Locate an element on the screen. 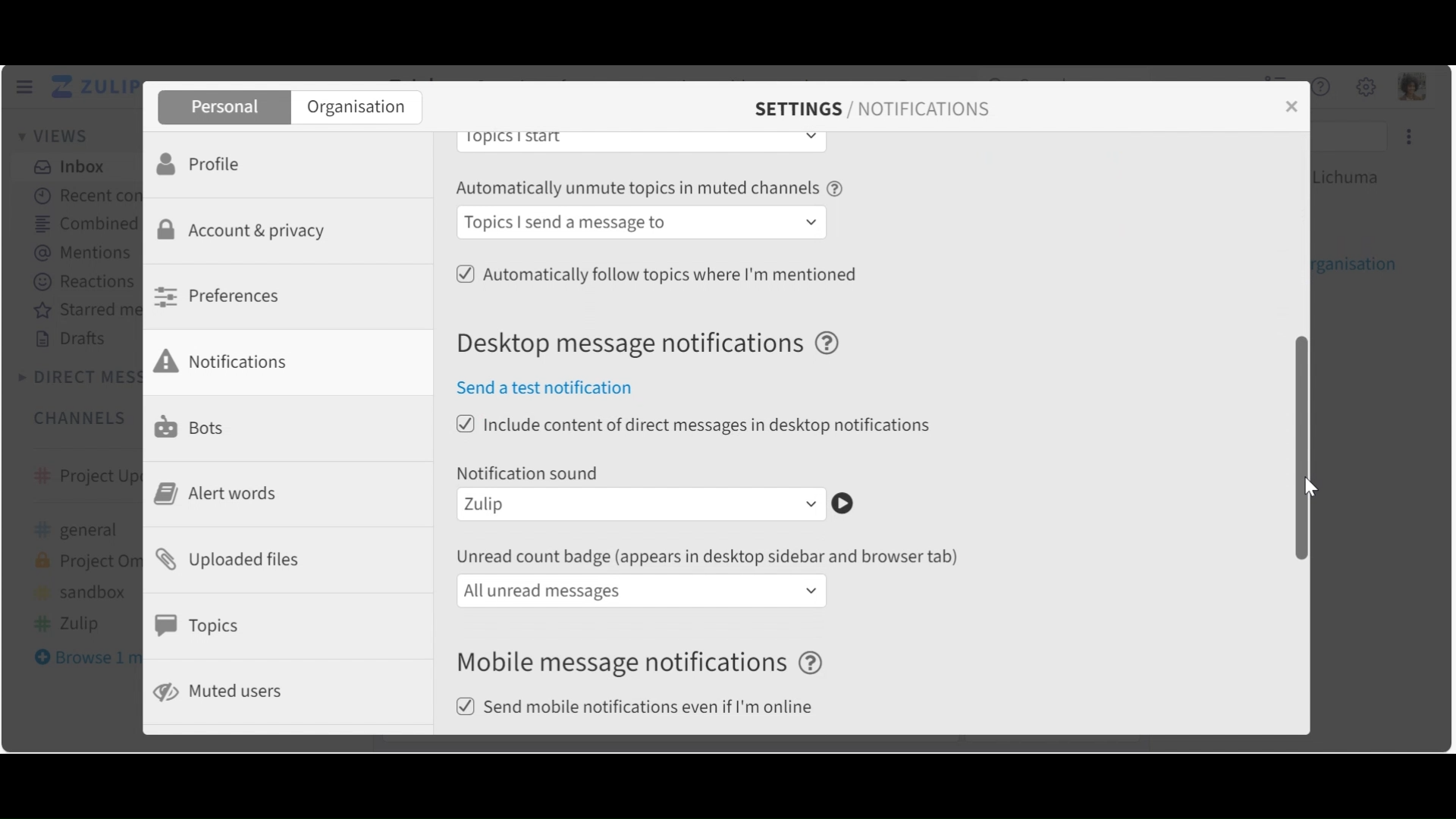 This screenshot has height=819, width=1456. Vertical Scroll bar is located at coordinates (1301, 447).